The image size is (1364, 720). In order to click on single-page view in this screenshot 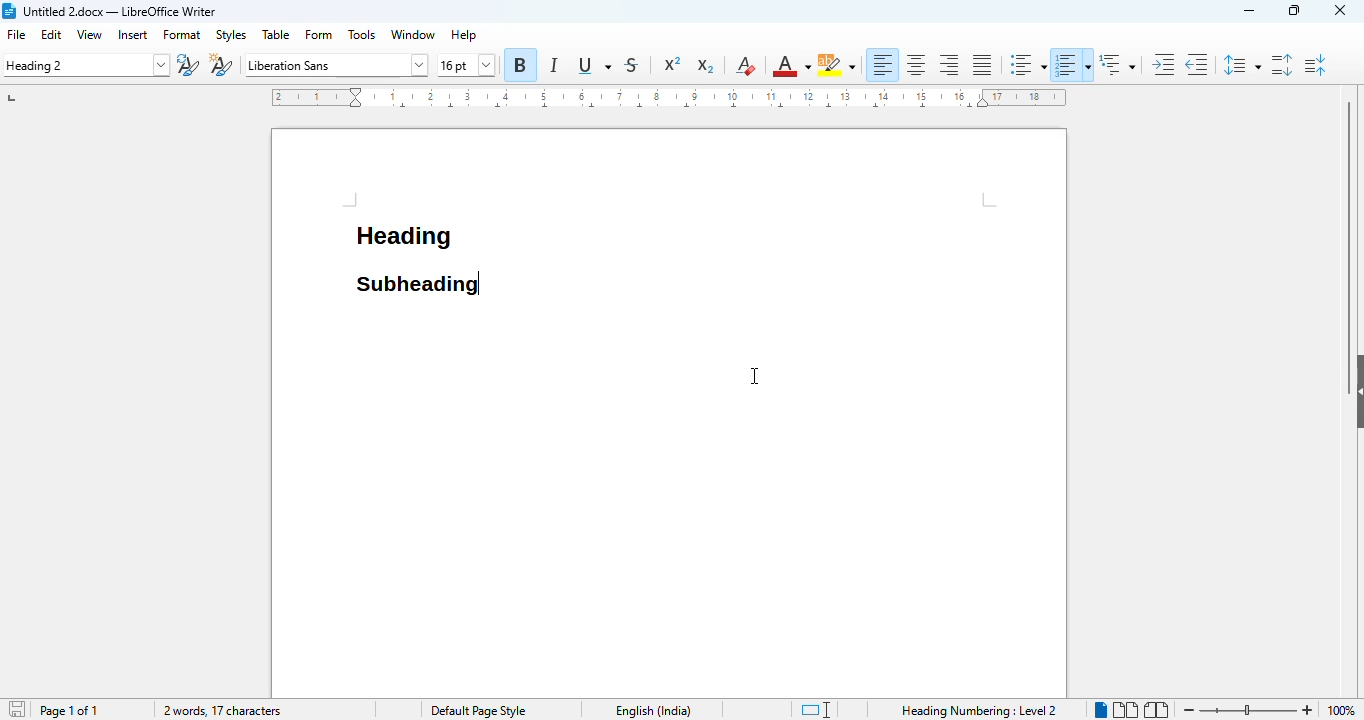, I will do `click(1101, 710)`.